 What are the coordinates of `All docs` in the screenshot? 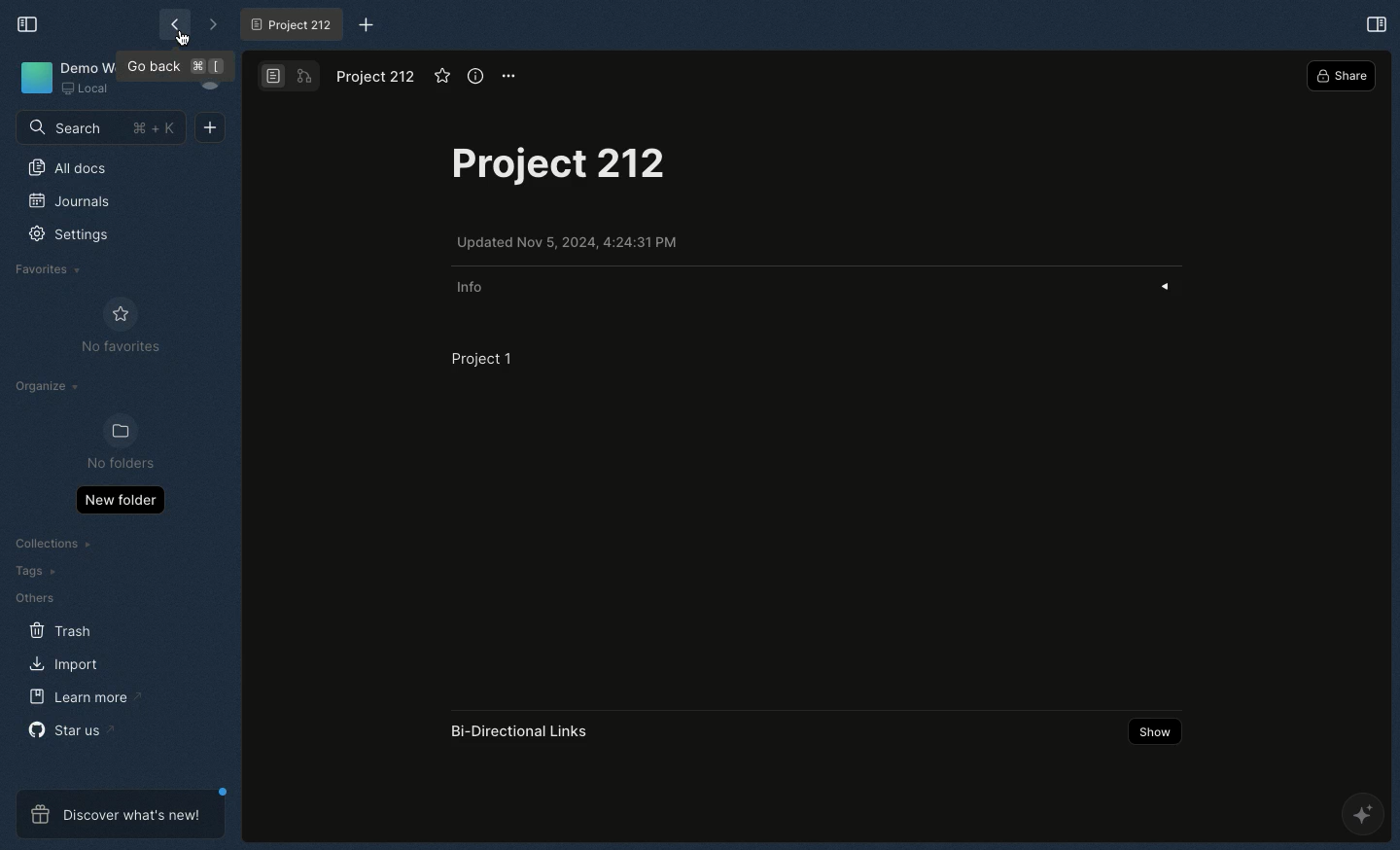 It's located at (74, 168).